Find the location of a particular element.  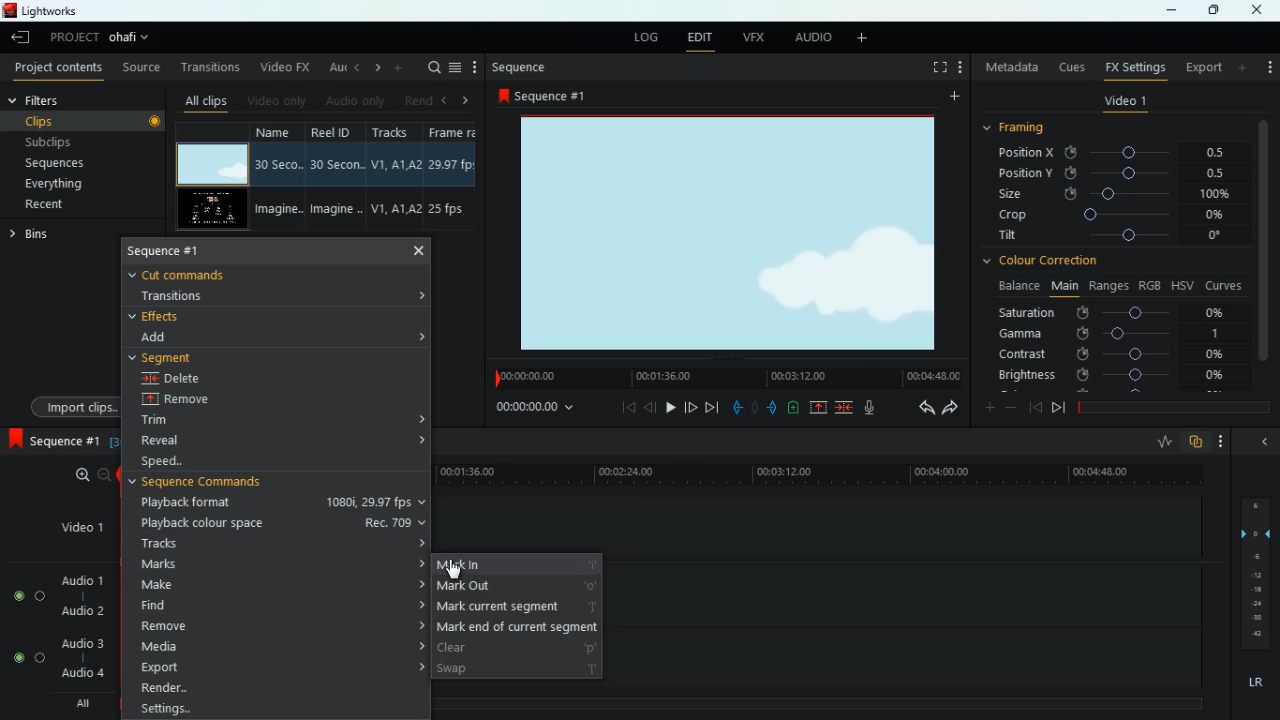

curves is located at coordinates (1224, 285).